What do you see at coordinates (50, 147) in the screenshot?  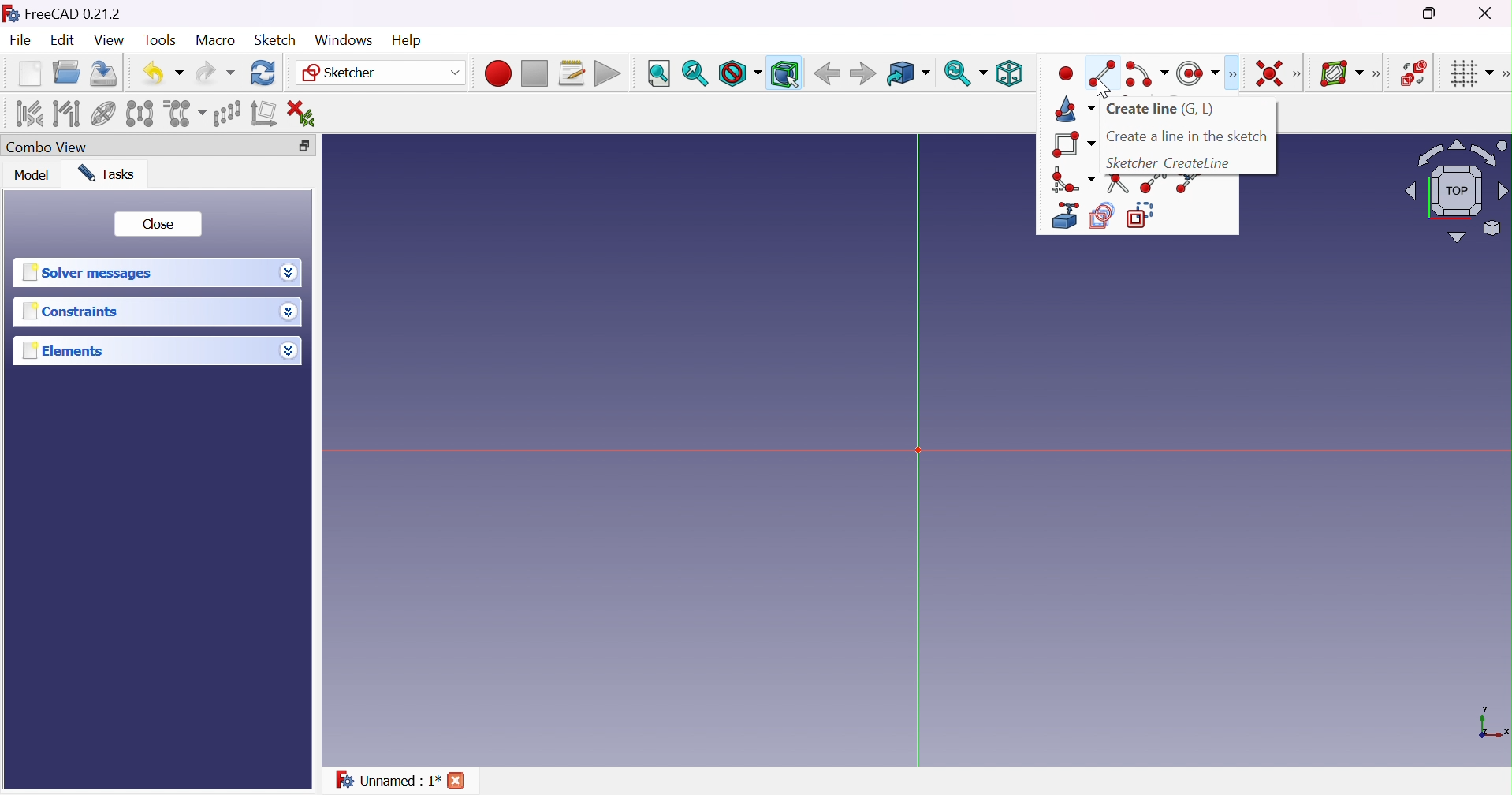 I see `Combo view` at bounding box center [50, 147].